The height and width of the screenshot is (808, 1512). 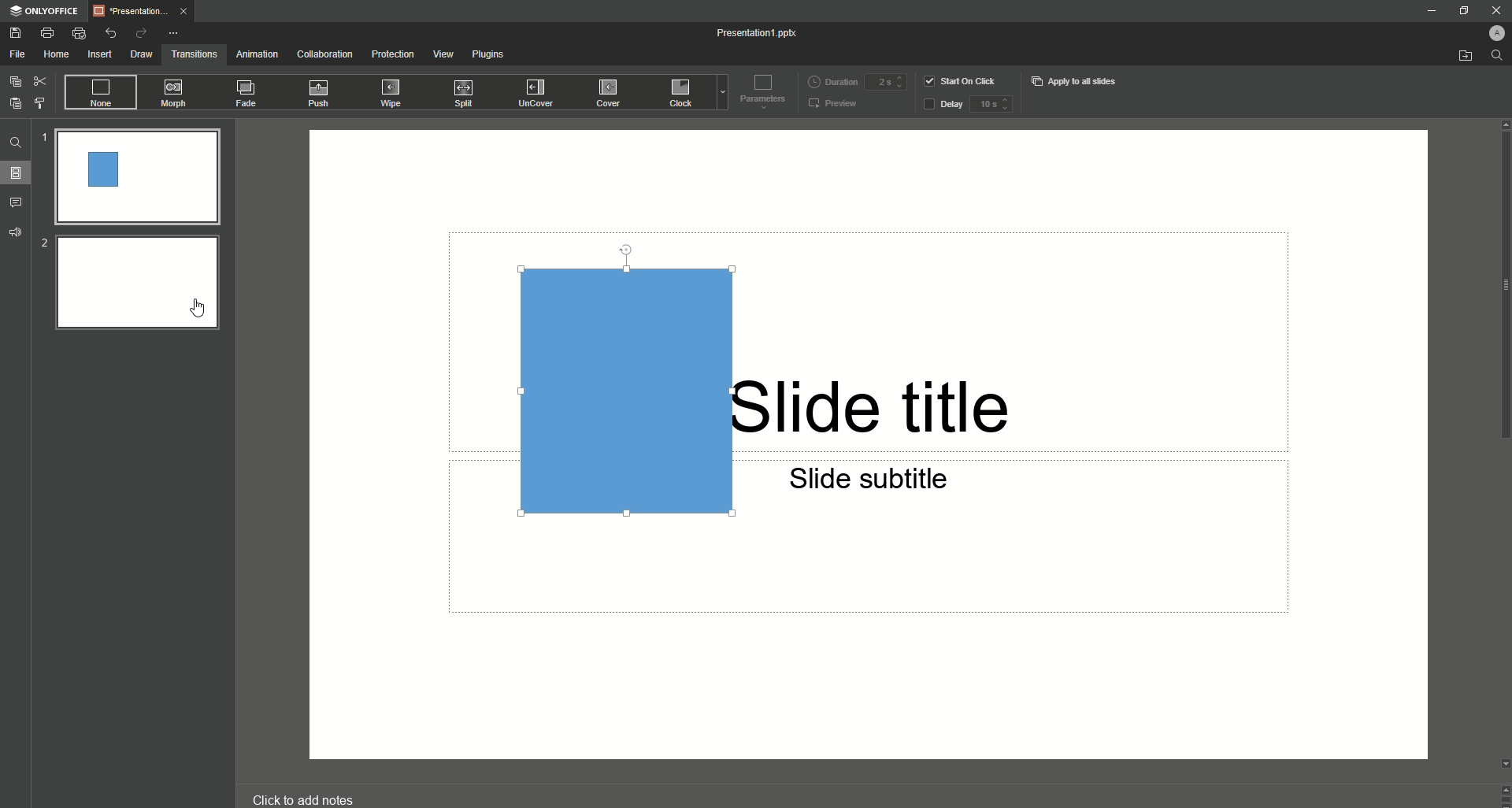 What do you see at coordinates (996, 106) in the screenshot?
I see `delay input` at bounding box center [996, 106].